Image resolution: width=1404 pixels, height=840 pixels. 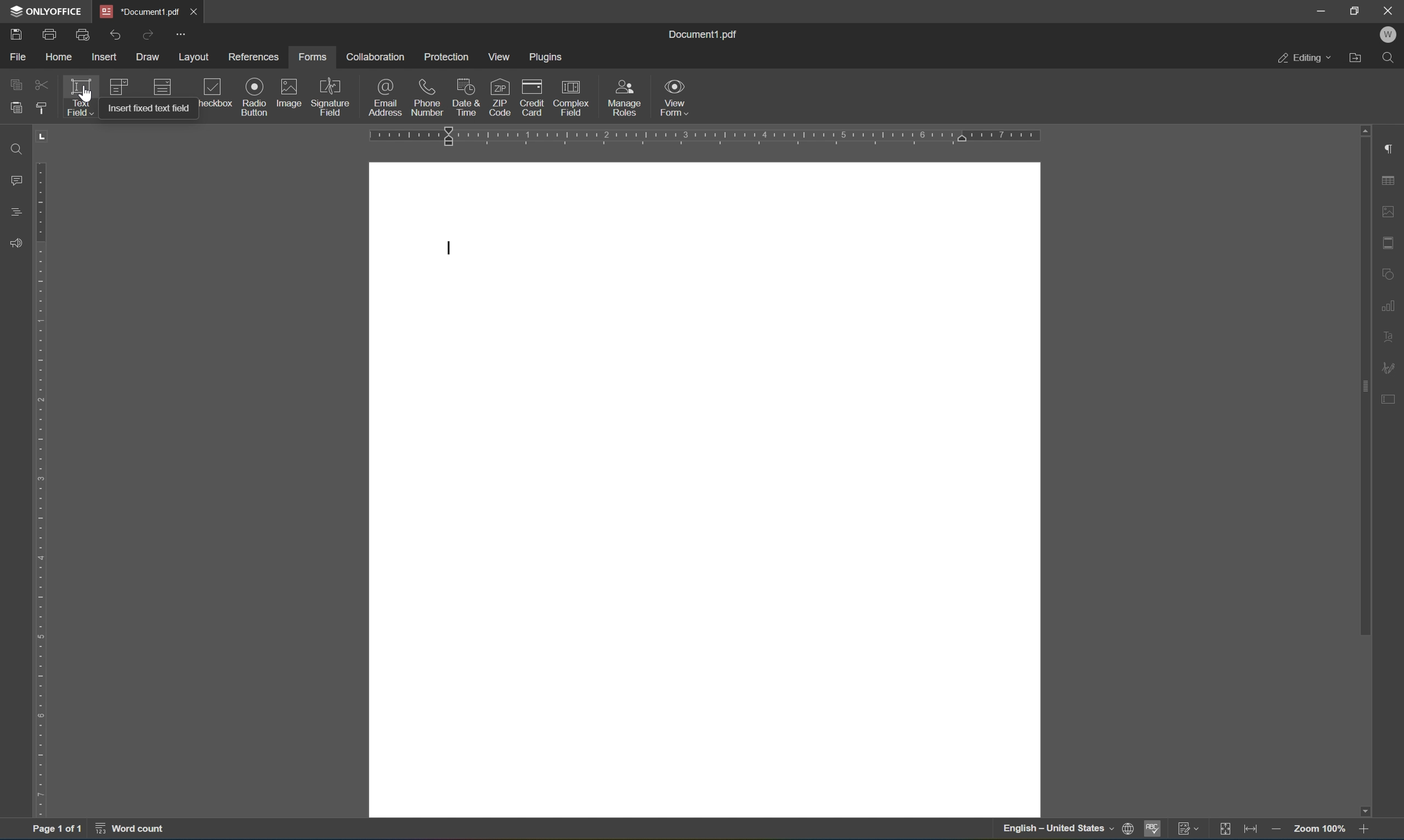 I want to click on print, so click(x=50, y=36).